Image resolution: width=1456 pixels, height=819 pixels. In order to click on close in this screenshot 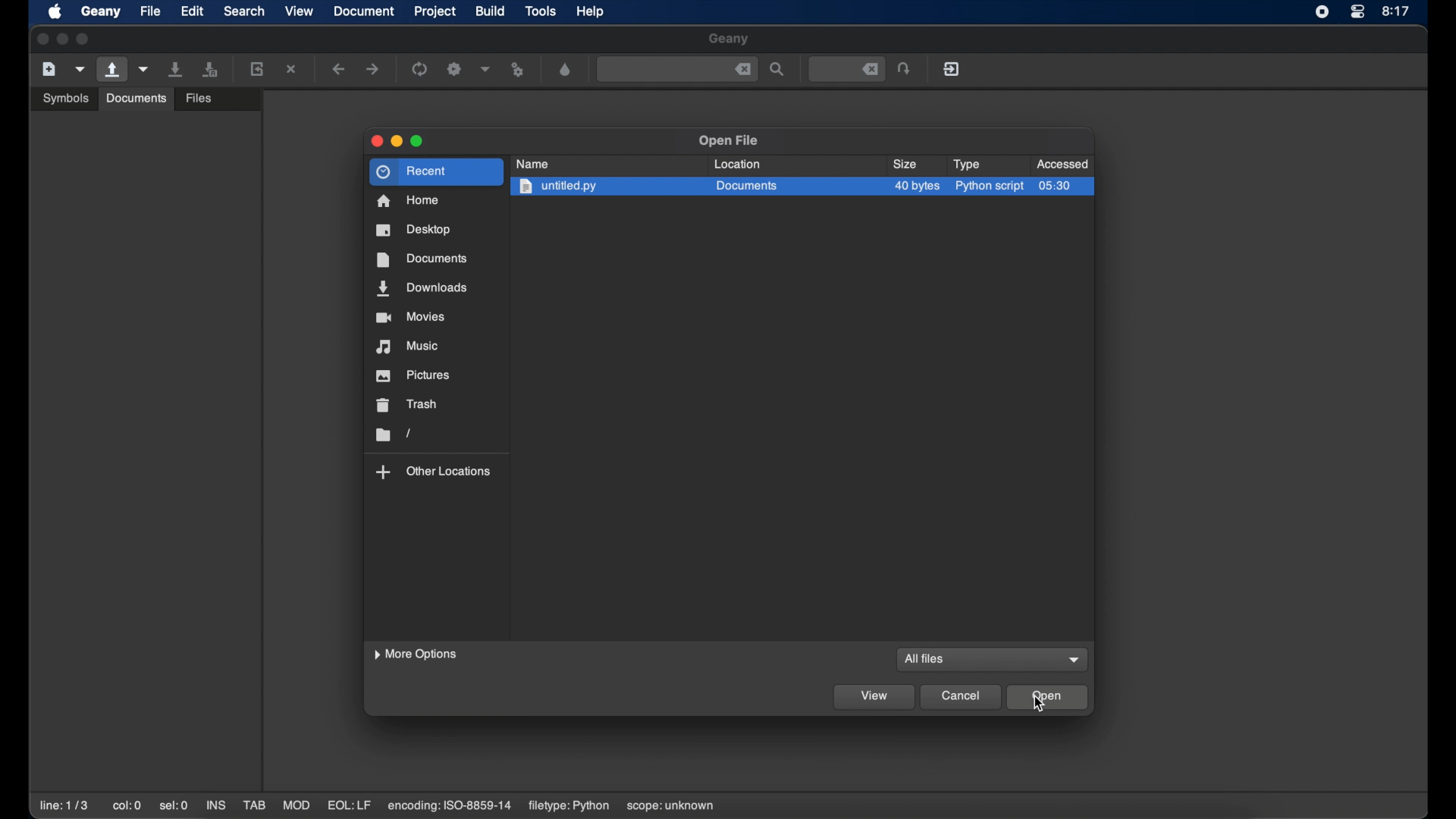, I will do `click(41, 38)`.